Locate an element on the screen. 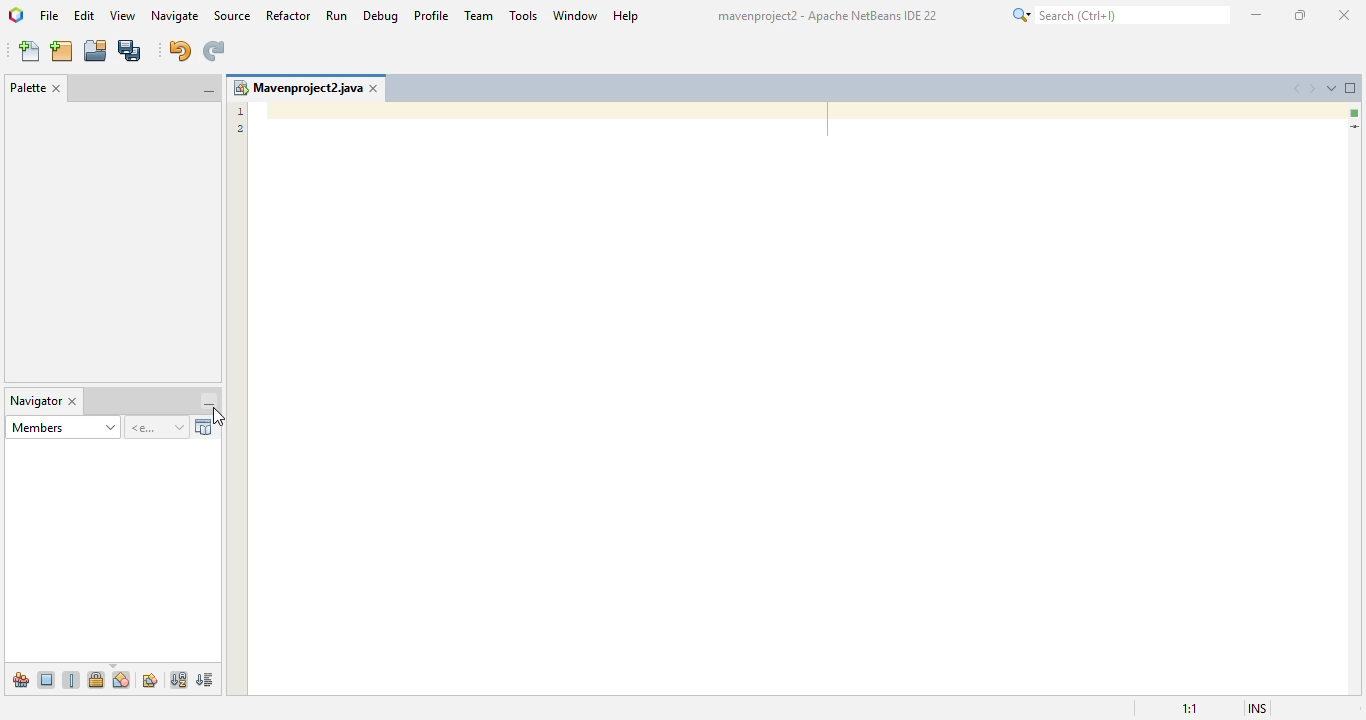 The image size is (1366, 720). show inherited members is located at coordinates (20, 679).